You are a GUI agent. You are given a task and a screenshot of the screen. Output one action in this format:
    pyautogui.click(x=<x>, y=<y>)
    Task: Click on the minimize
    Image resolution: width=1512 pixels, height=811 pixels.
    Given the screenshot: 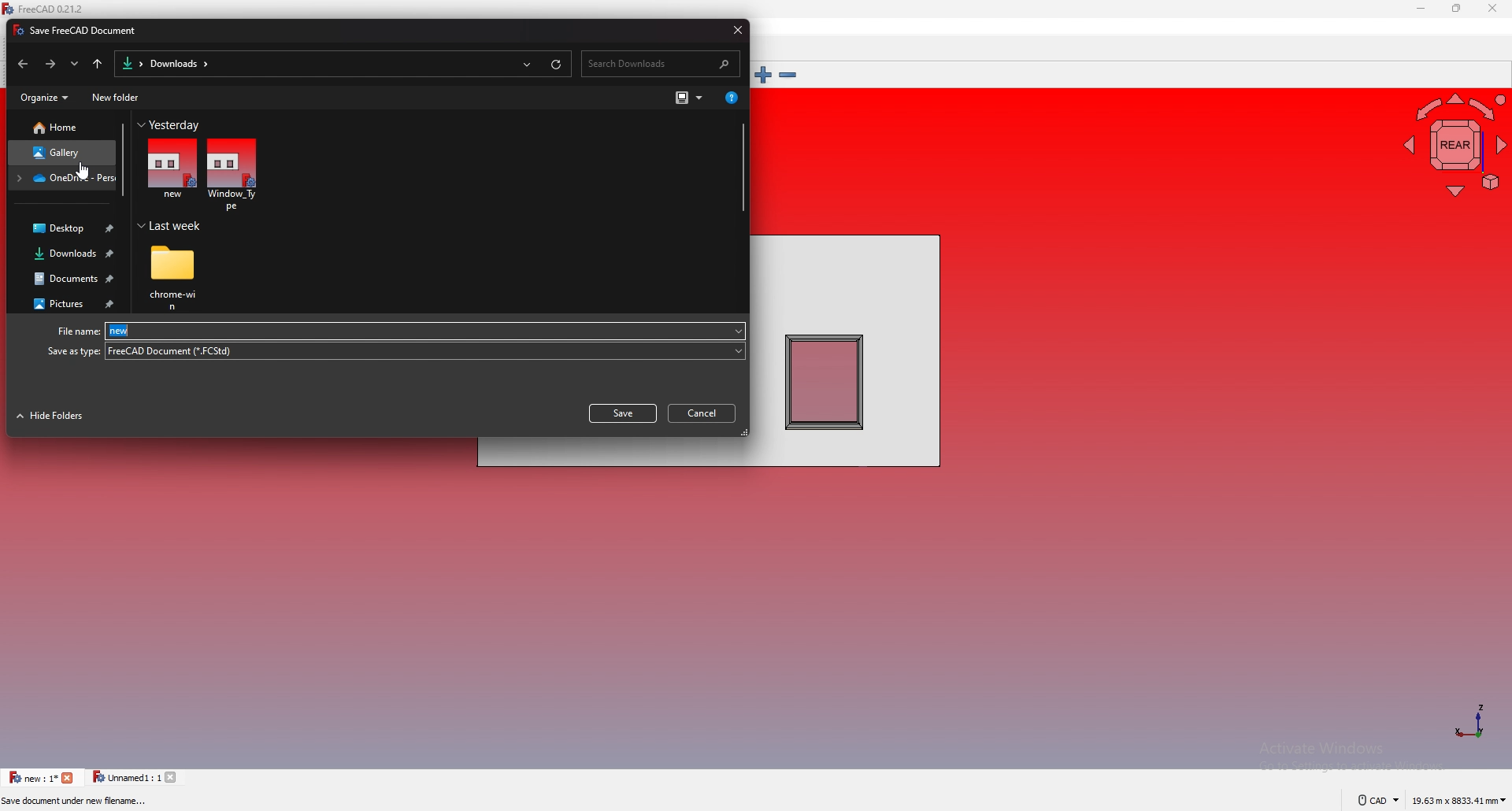 What is the action you would take?
    pyautogui.click(x=1422, y=8)
    